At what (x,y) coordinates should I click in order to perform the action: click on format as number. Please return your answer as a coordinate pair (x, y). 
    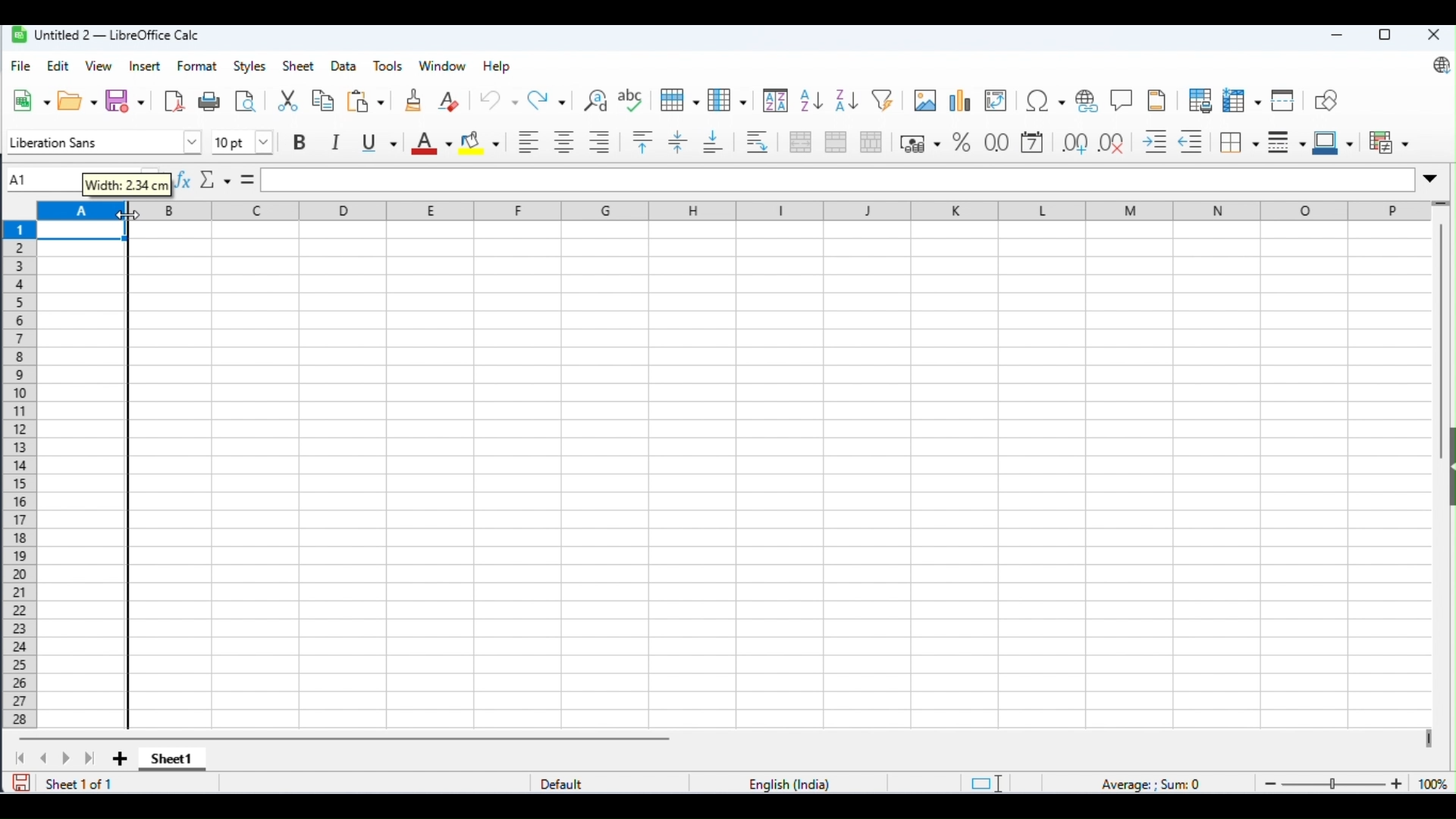
    Looking at the image, I should click on (996, 142).